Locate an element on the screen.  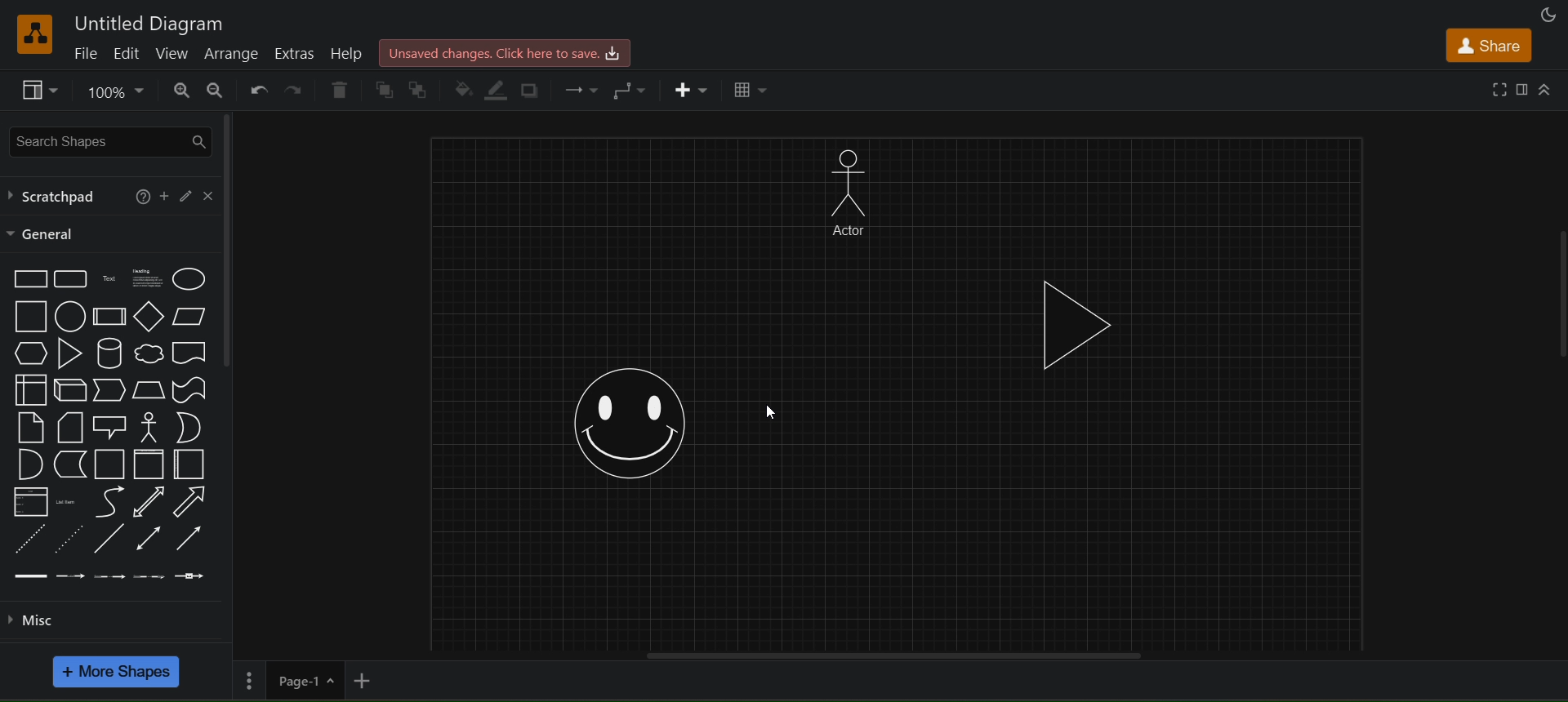
cylinder is located at coordinates (109, 352).